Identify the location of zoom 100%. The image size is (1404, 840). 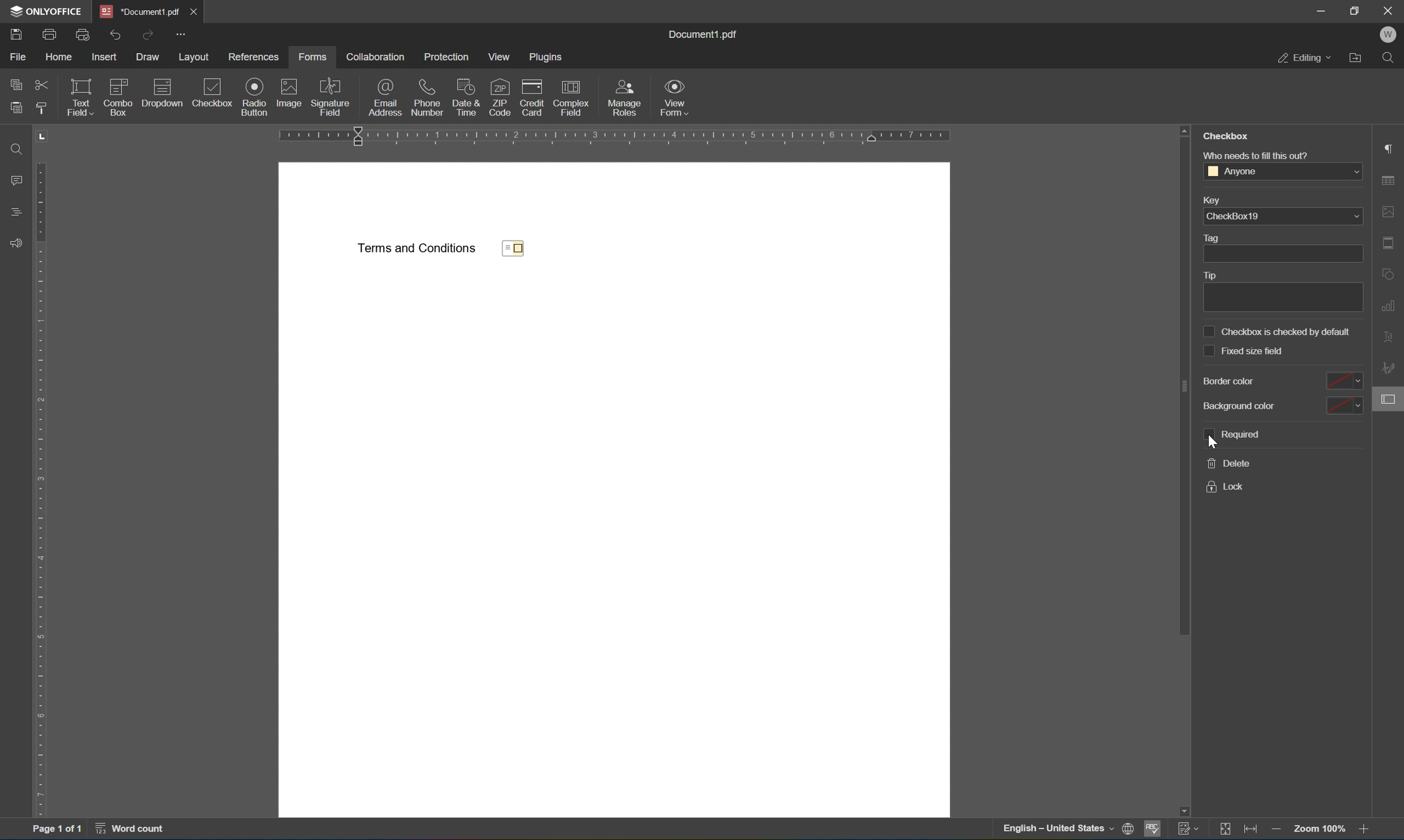
(1321, 830).